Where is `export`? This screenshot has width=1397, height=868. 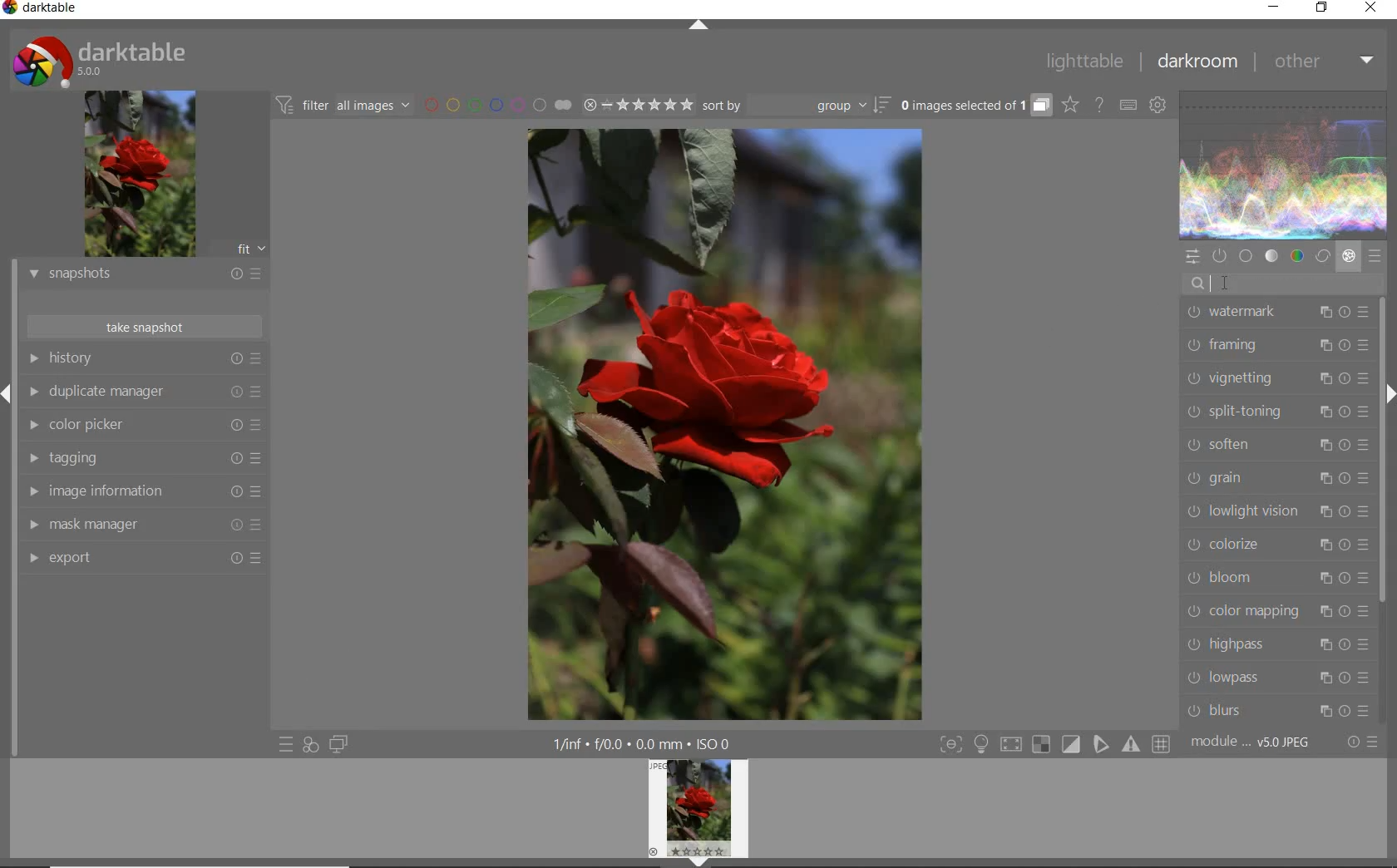
export is located at coordinates (144, 560).